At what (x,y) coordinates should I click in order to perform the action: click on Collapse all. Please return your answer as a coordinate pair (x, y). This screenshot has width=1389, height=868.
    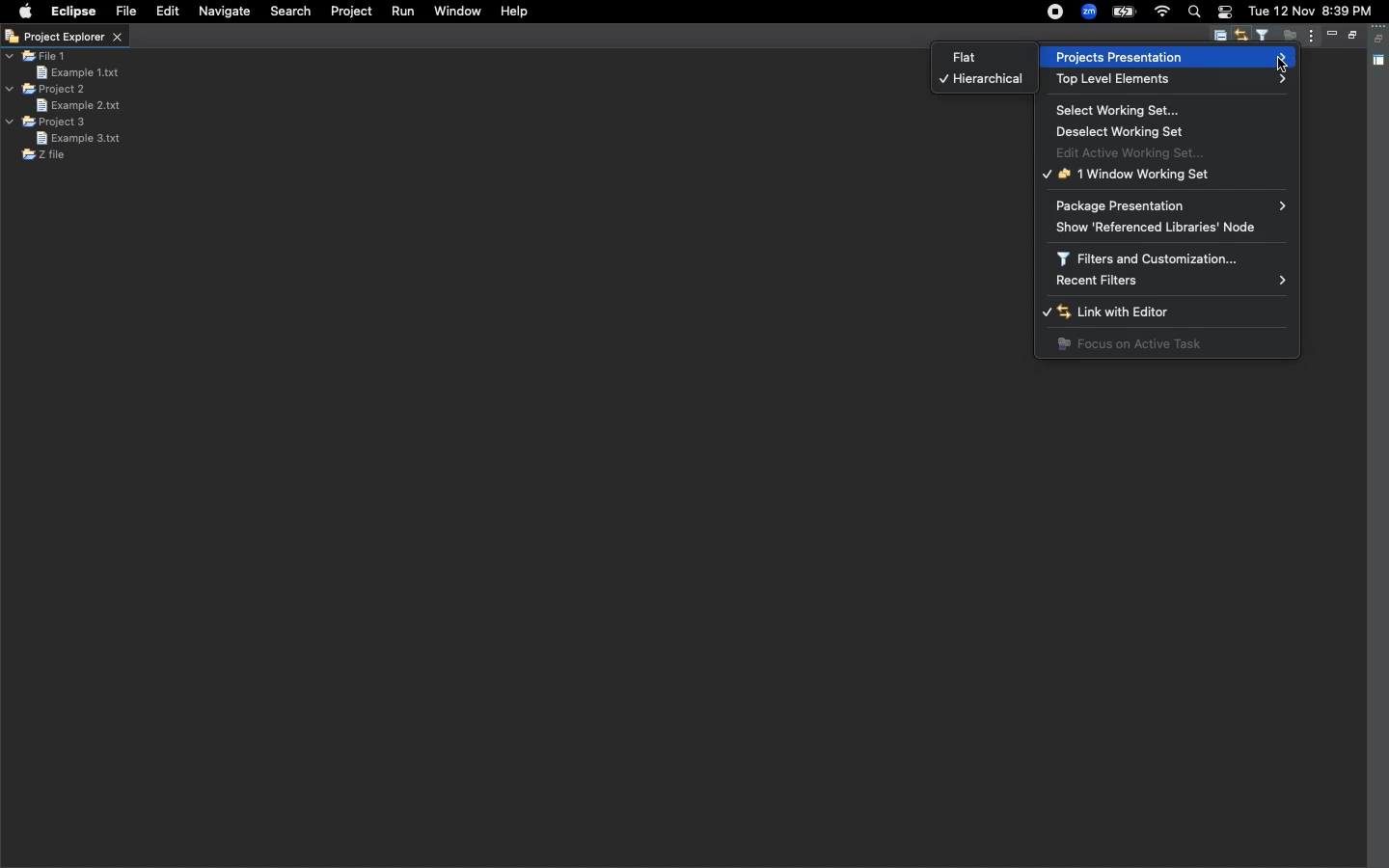
    Looking at the image, I should click on (1219, 38).